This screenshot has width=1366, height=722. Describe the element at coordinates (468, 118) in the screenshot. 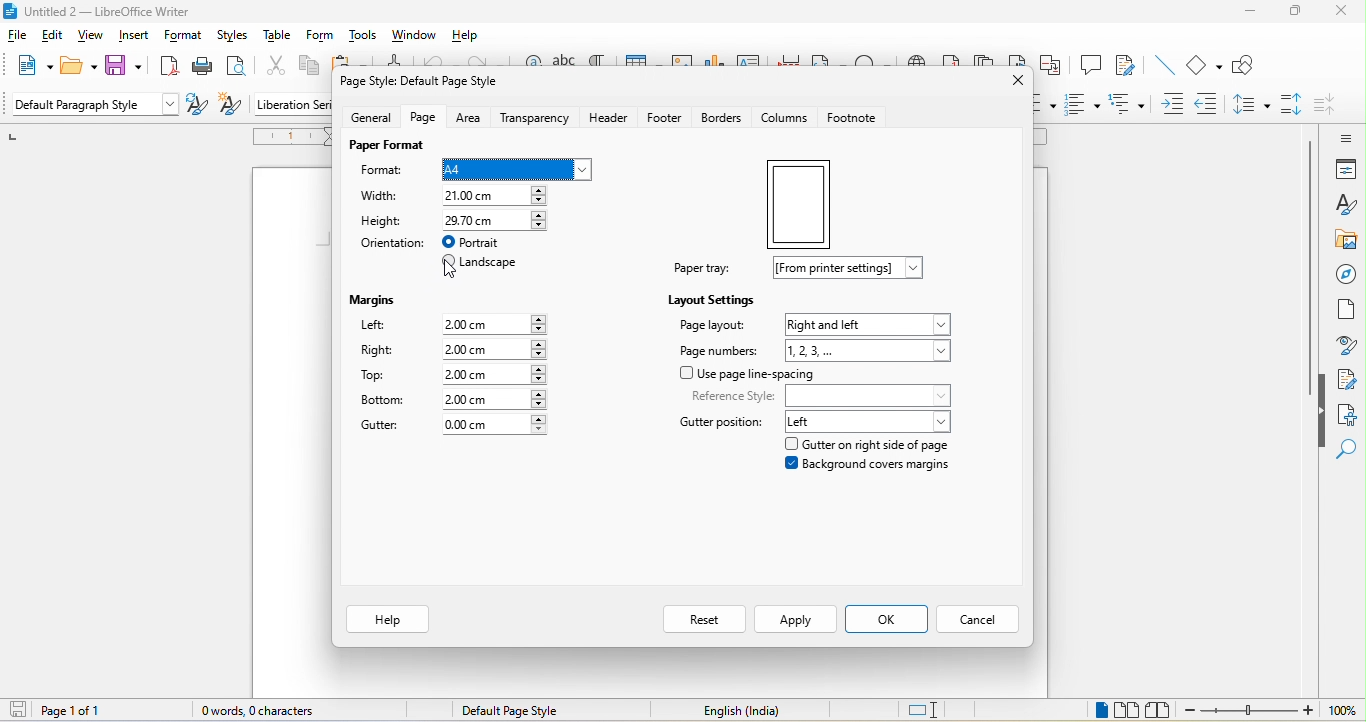

I see `area` at that location.